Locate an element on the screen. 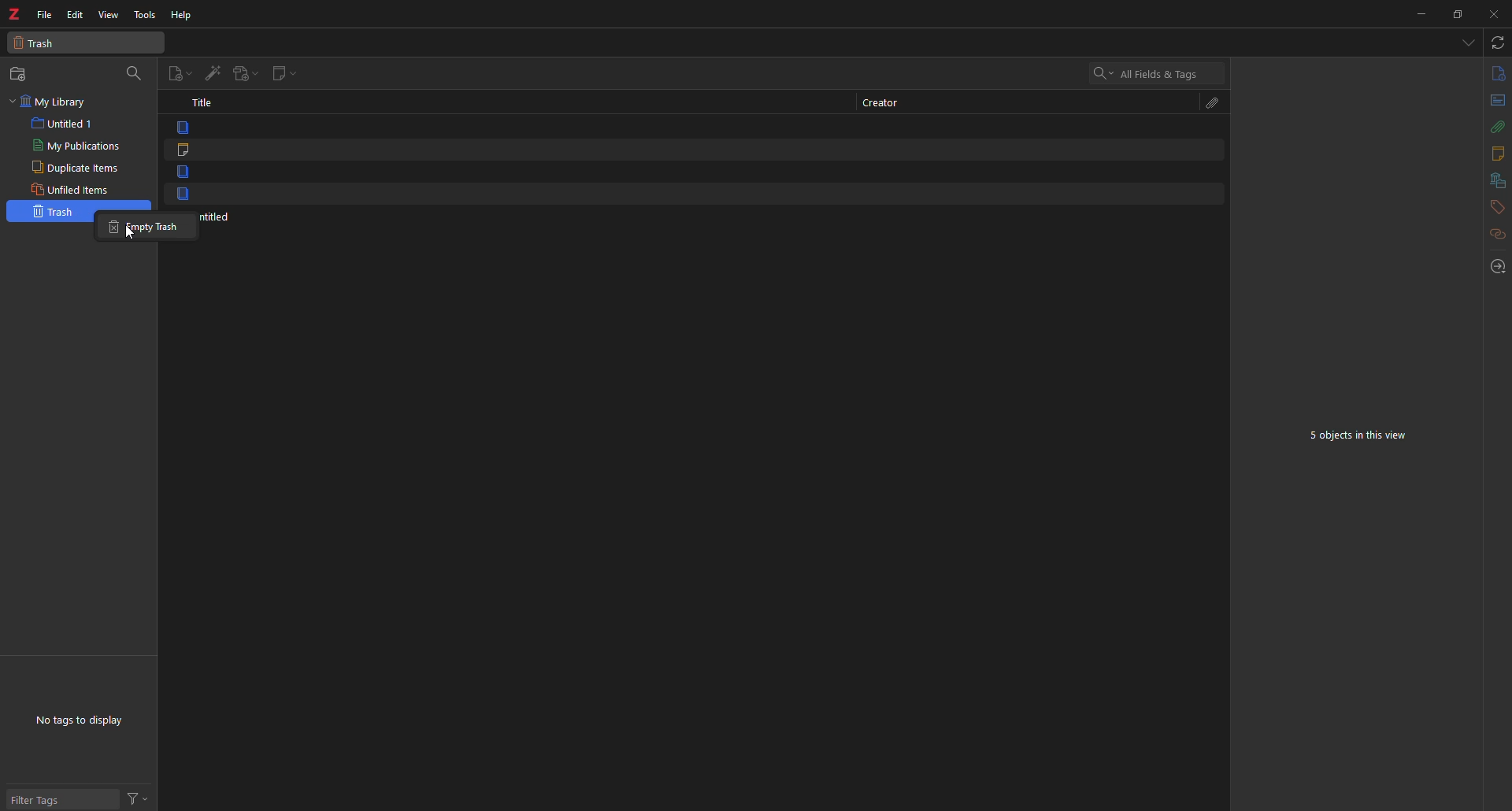 The image size is (1512, 811). edit is located at coordinates (76, 14).